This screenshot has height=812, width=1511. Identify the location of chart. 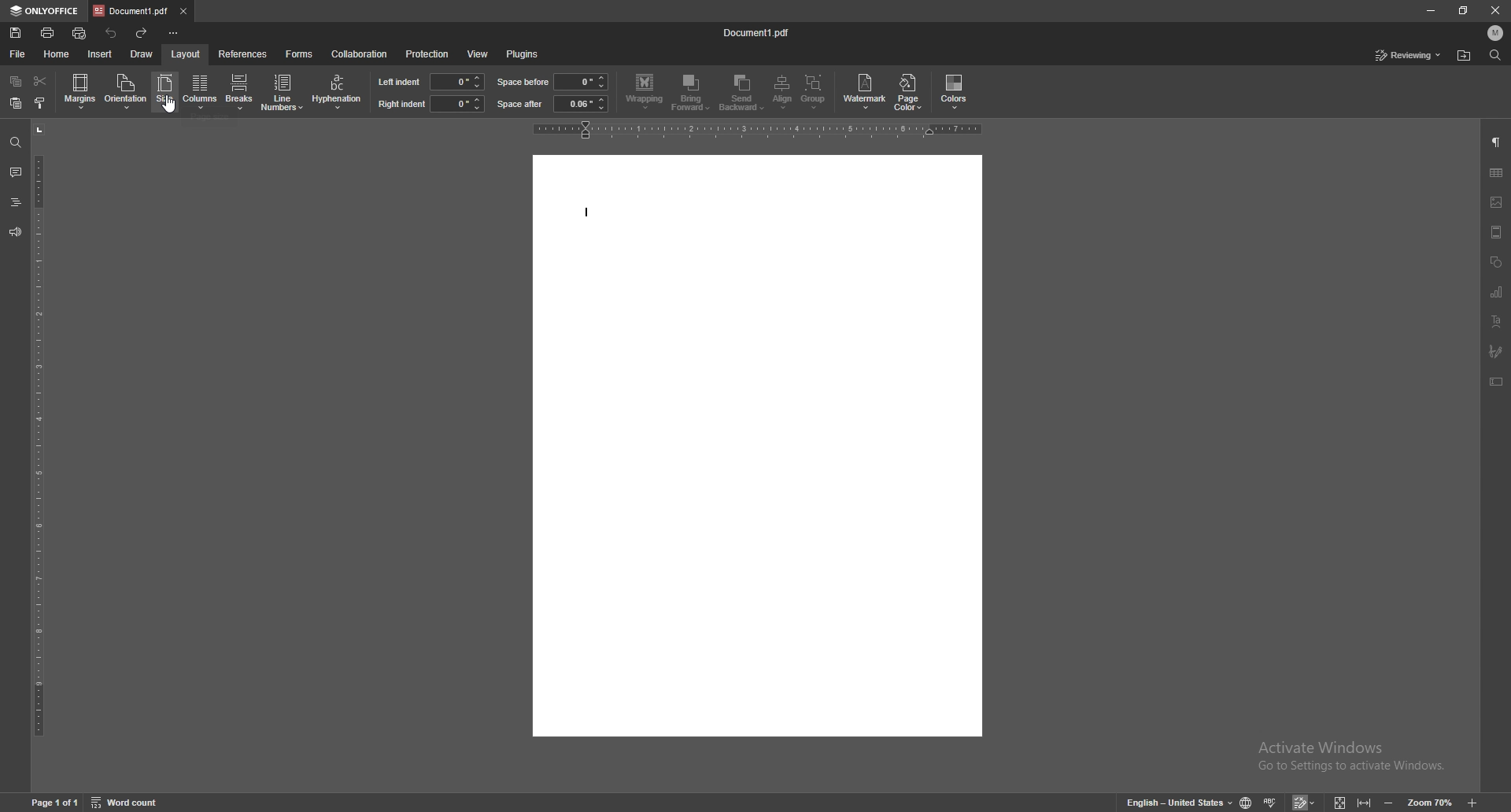
(1498, 292).